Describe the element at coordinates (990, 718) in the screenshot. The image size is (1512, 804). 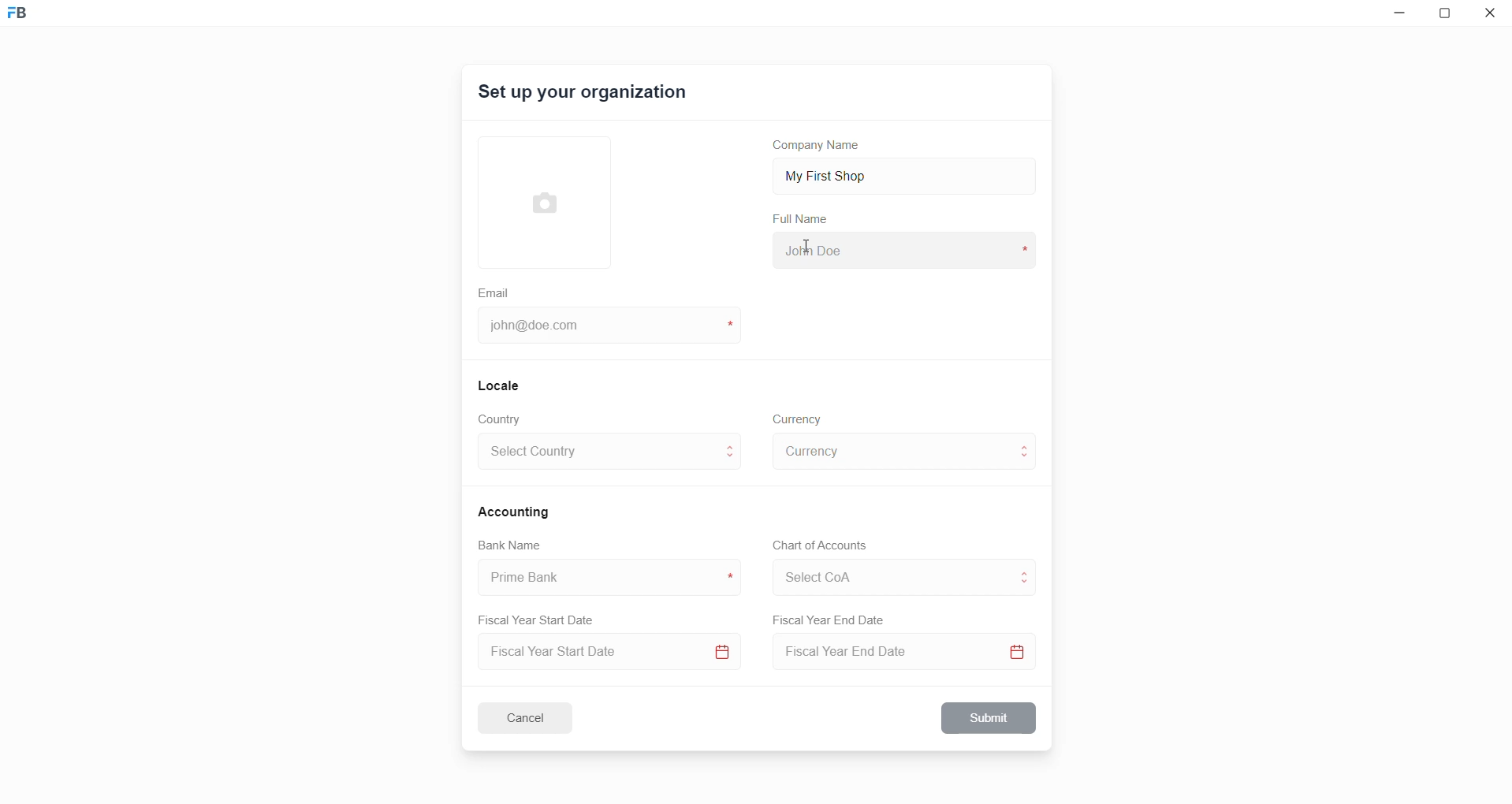
I see `Submit ` at that location.